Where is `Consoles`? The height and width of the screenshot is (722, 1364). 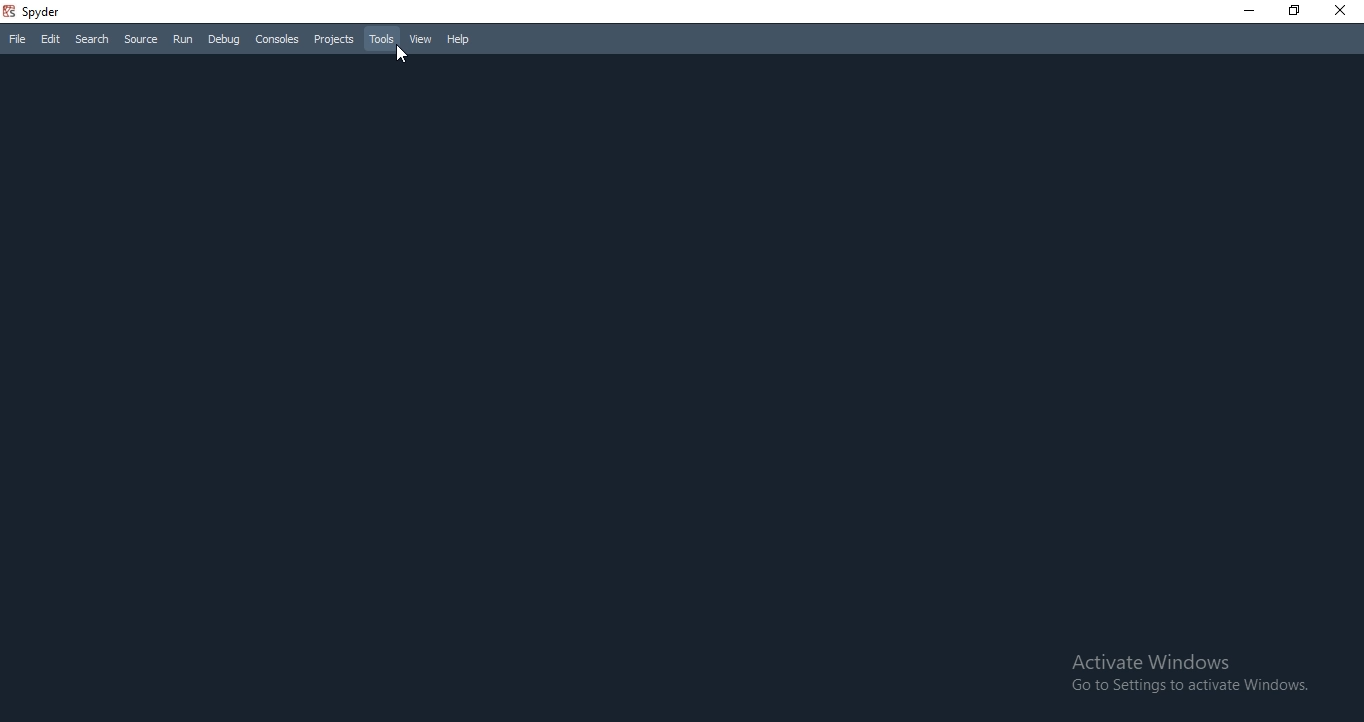
Consoles is located at coordinates (275, 39).